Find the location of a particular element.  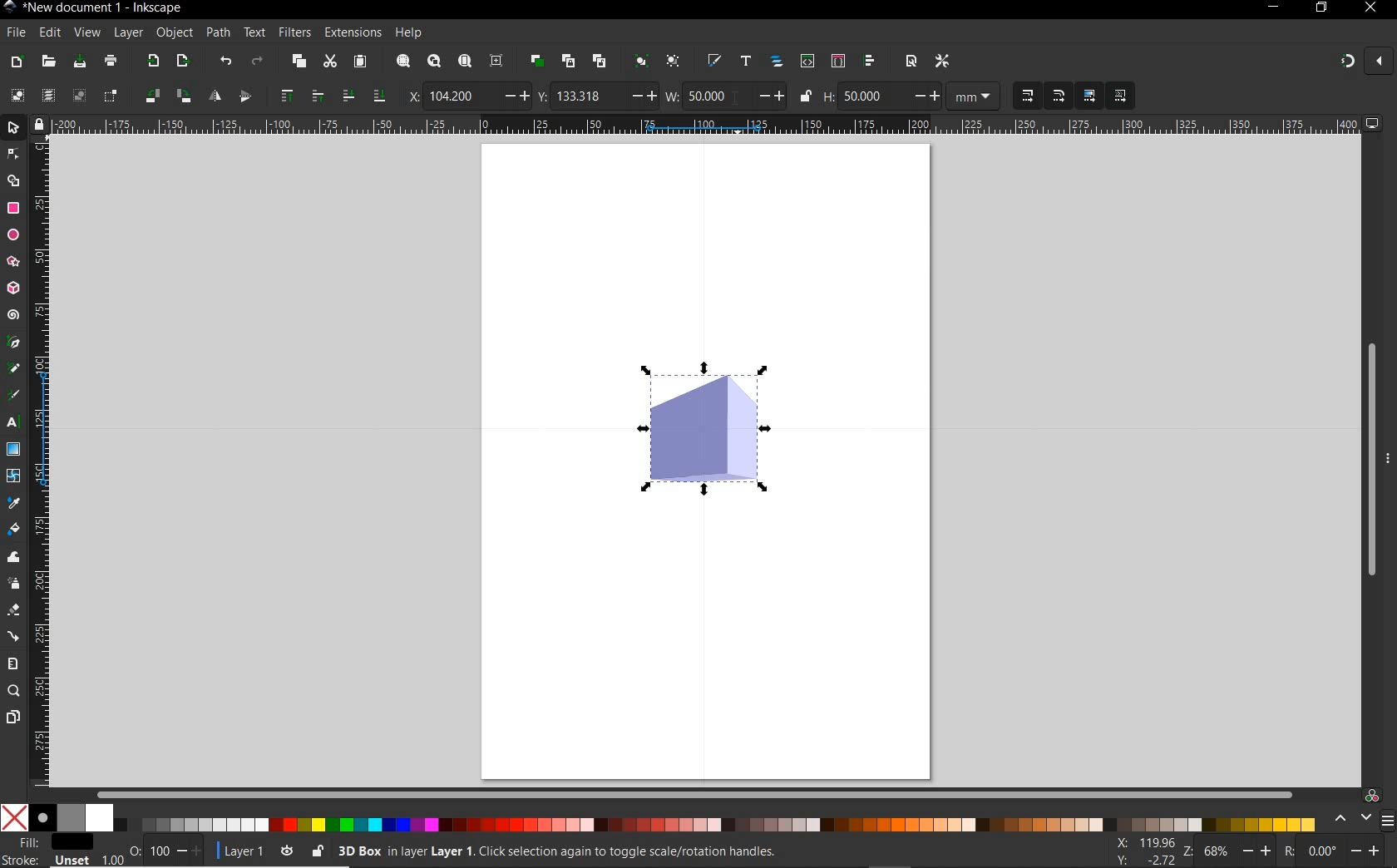

increase/decrease is located at coordinates (770, 96).